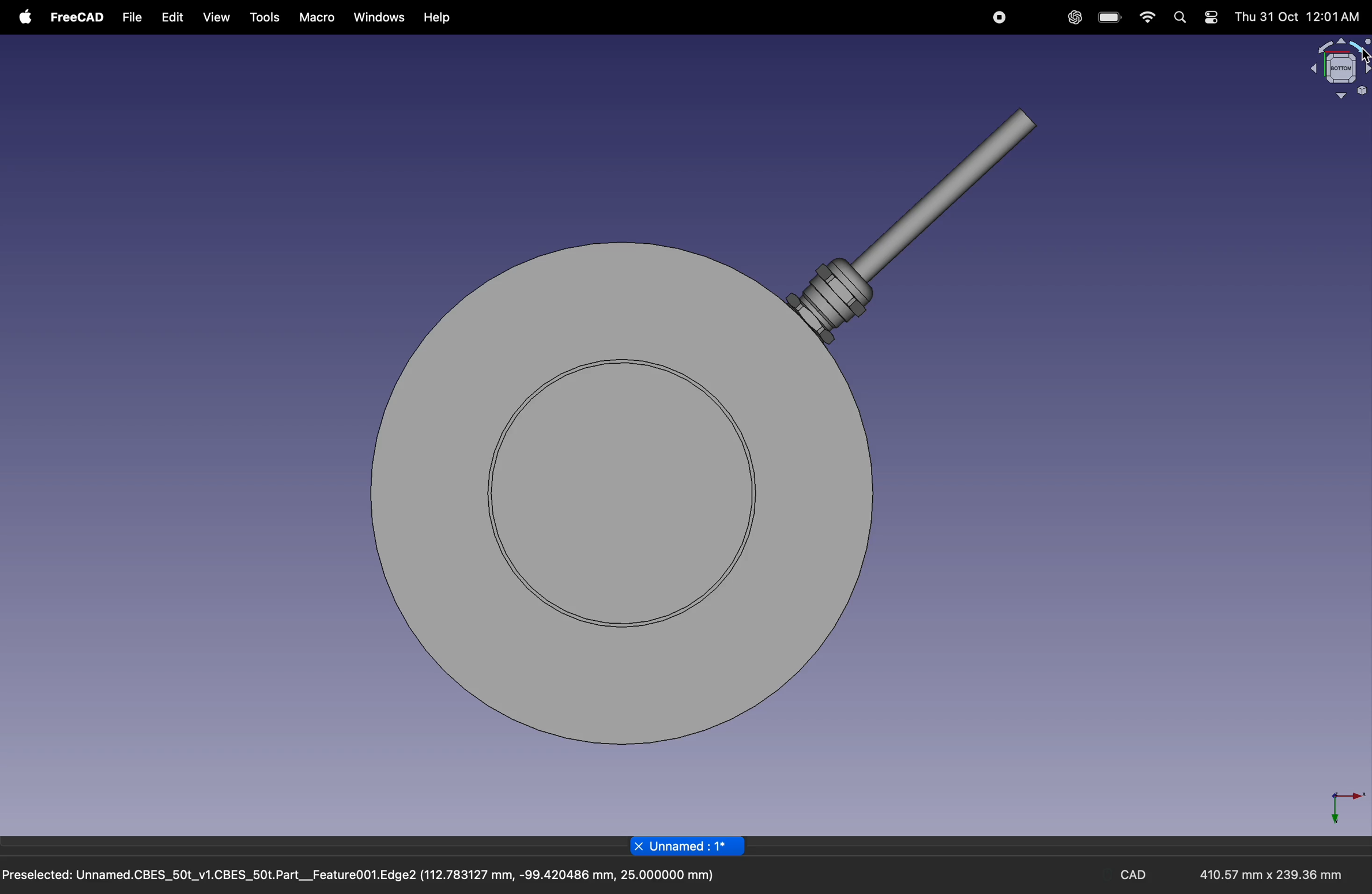 The width and height of the screenshot is (1372, 894). I want to click on battery, so click(1111, 18).